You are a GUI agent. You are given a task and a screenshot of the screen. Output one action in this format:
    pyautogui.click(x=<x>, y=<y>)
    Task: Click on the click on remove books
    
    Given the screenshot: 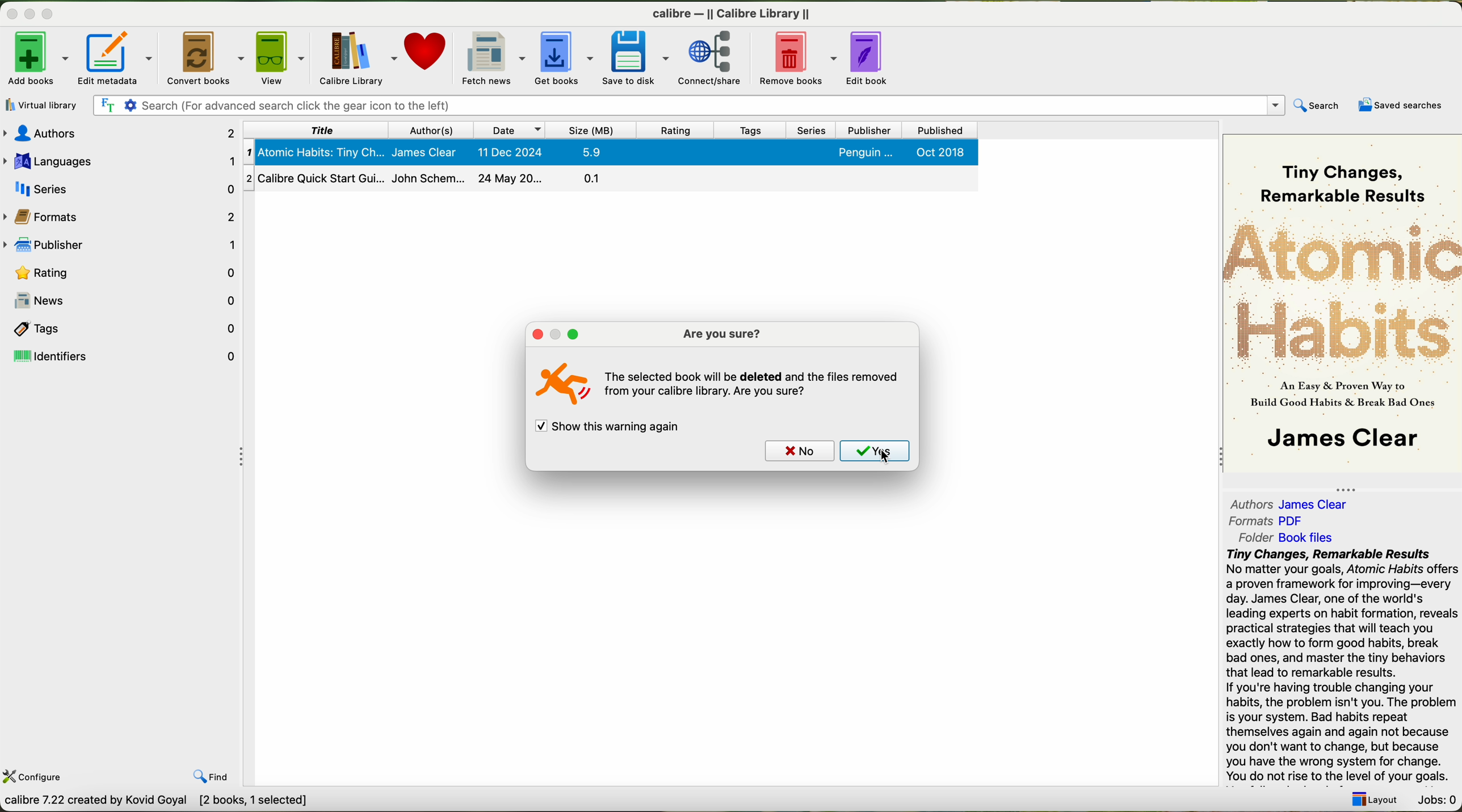 What is the action you would take?
    pyautogui.click(x=794, y=60)
    